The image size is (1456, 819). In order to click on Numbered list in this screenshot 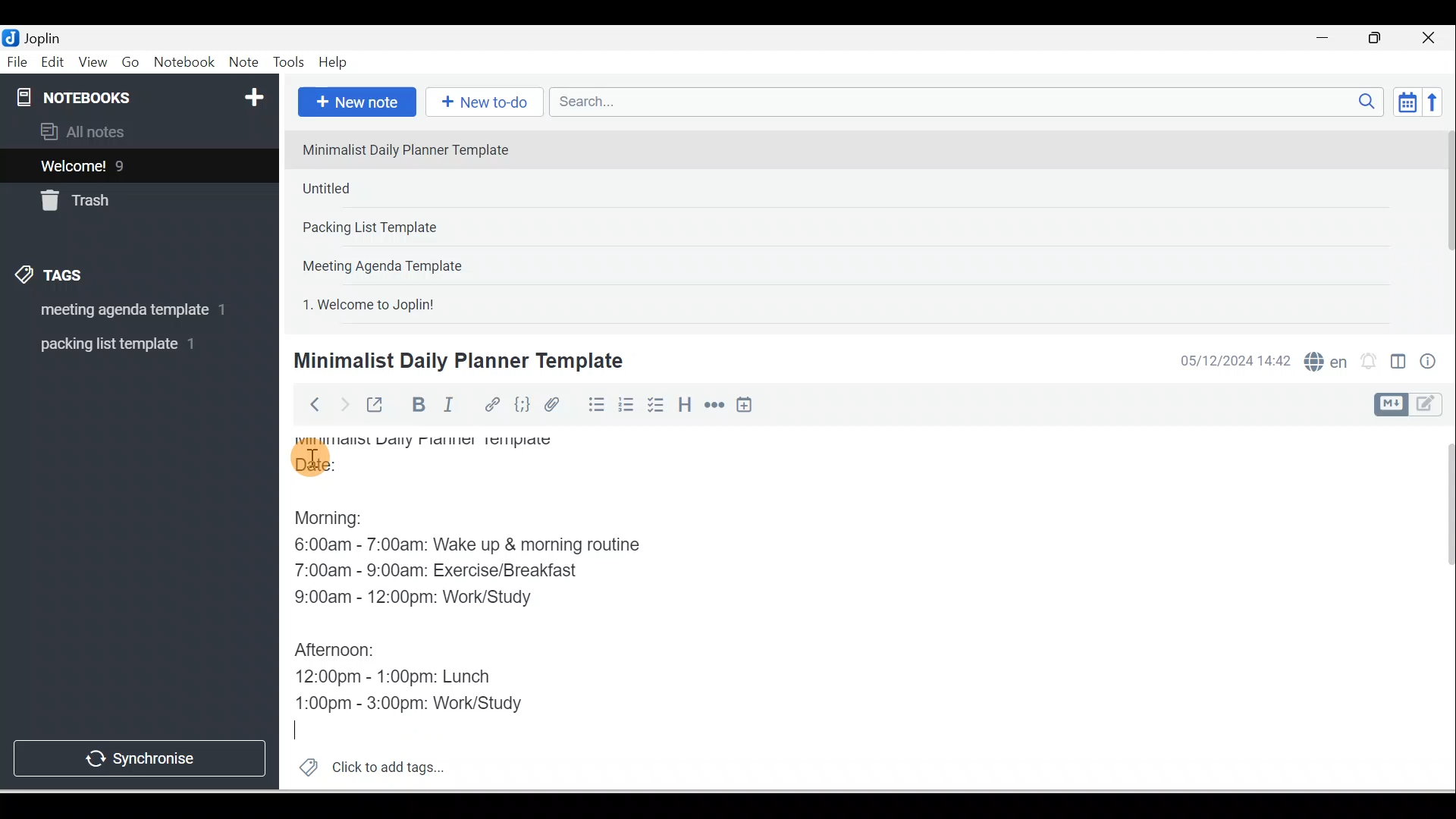, I will do `click(626, 404)`.